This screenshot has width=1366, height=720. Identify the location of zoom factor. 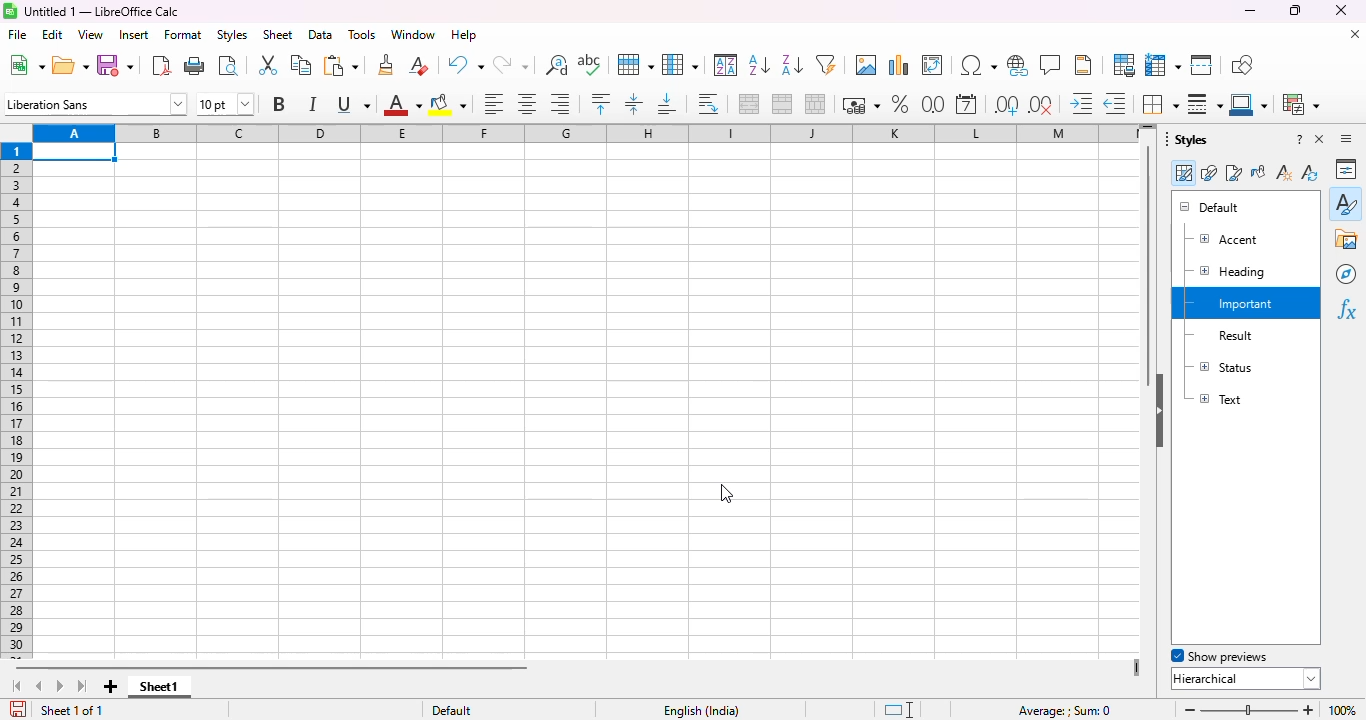
(1342, 710).